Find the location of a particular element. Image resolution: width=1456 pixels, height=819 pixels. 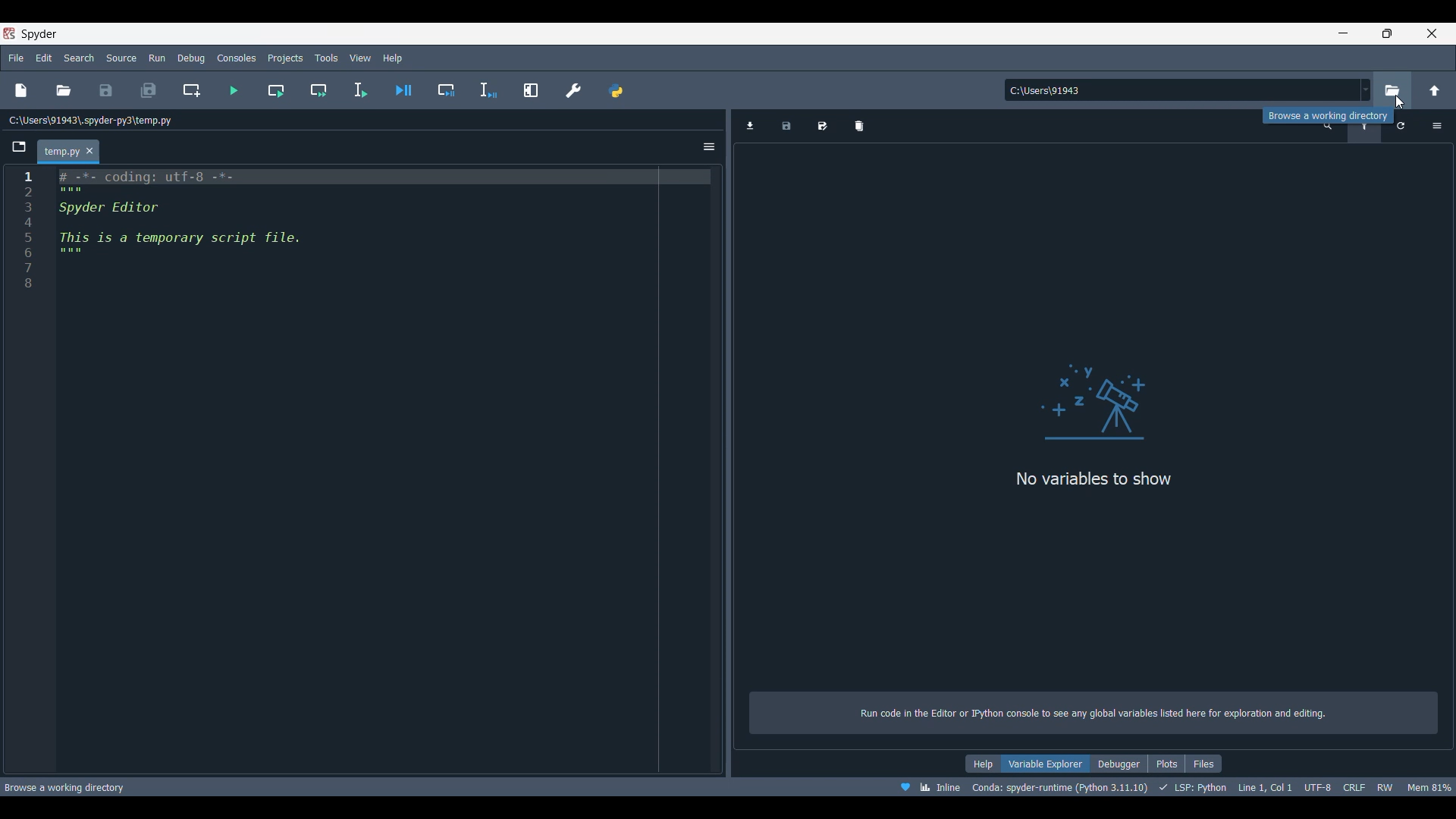

Open file is located at coordinates (64, 90).